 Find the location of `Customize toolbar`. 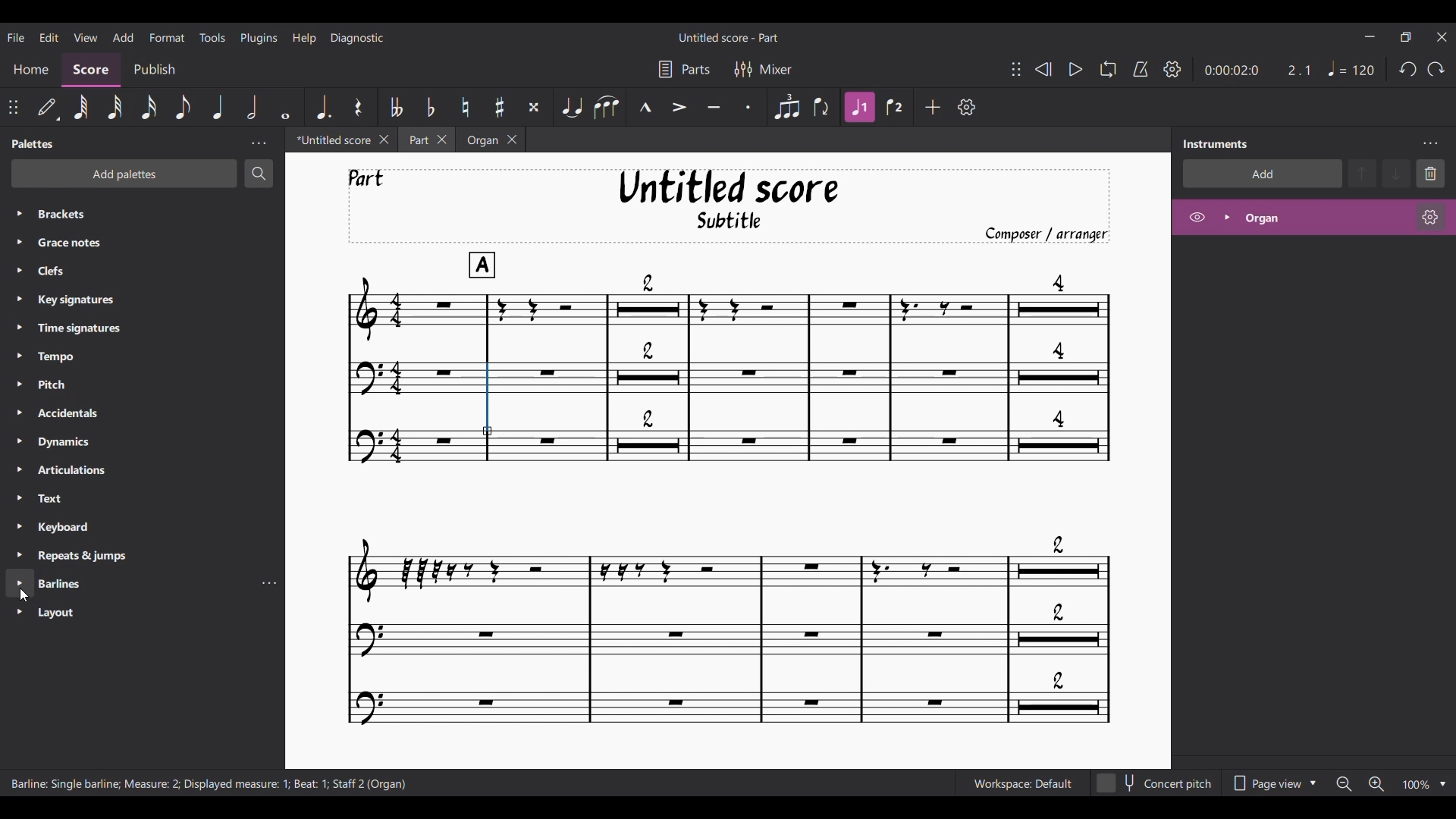

Customize toolbar is located at coordinates (966, 106).